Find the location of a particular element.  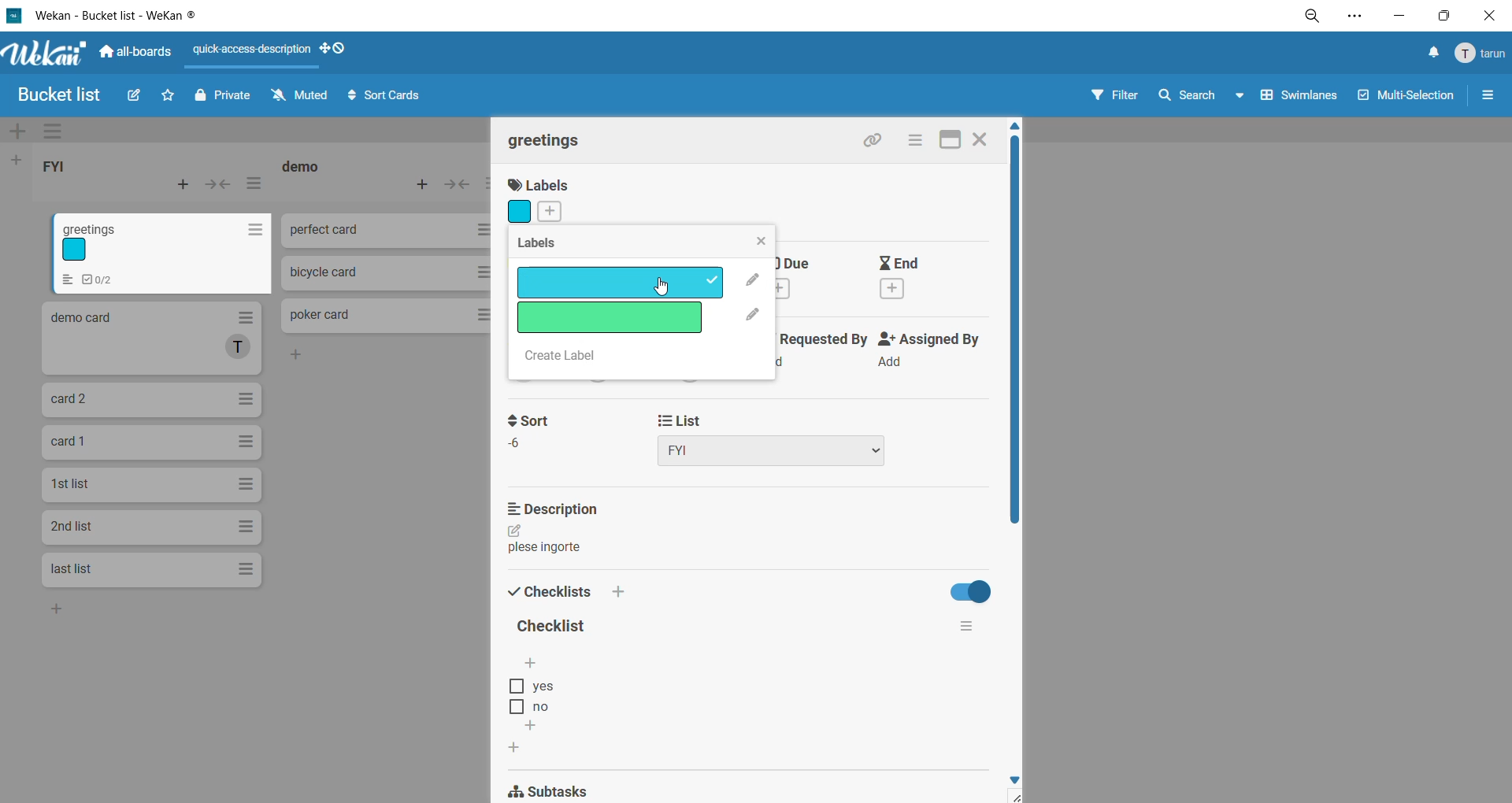

edit is located at coordinates (135, 96).